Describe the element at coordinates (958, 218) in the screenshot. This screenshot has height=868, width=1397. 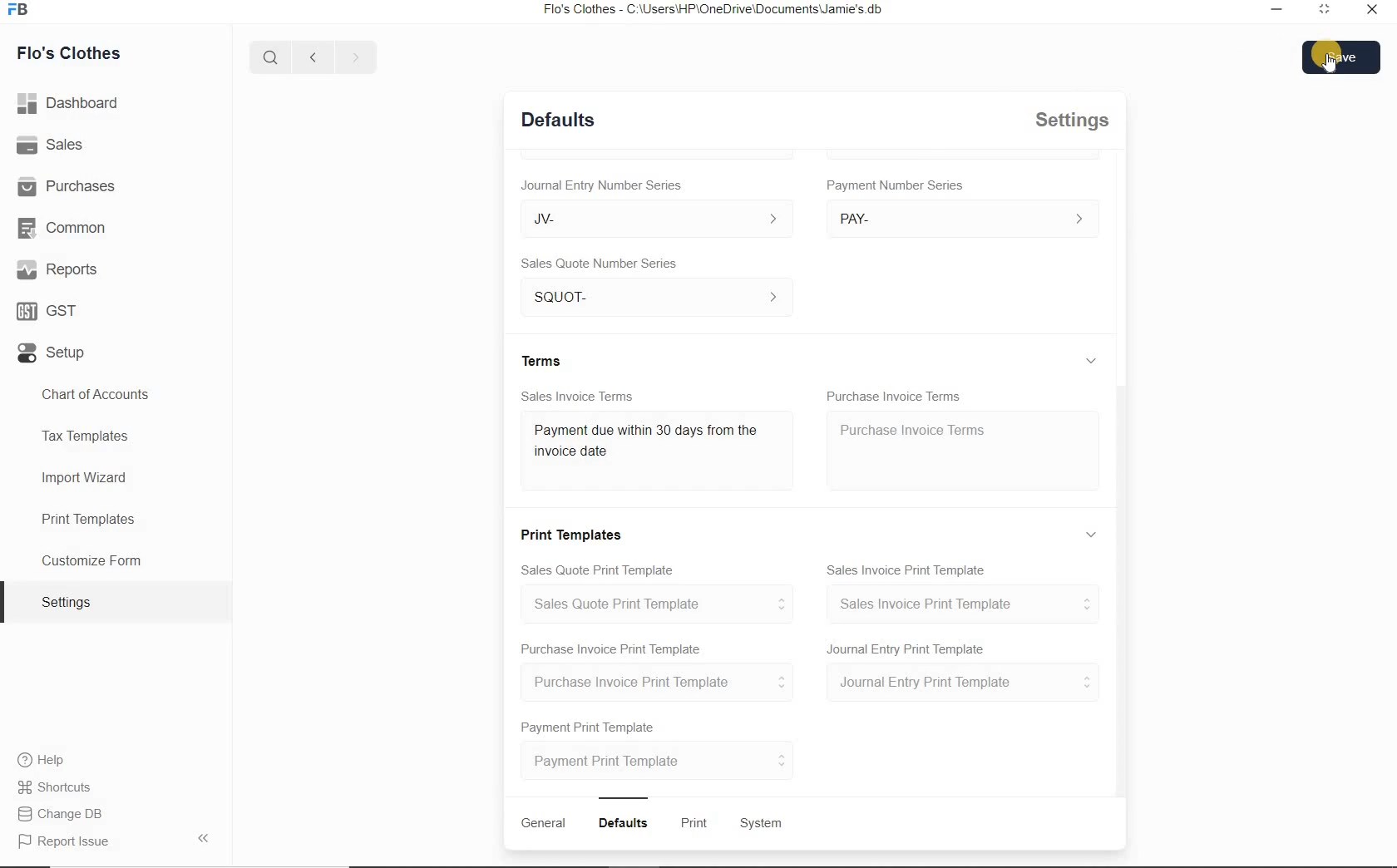
I see `> PAY-` at that location.